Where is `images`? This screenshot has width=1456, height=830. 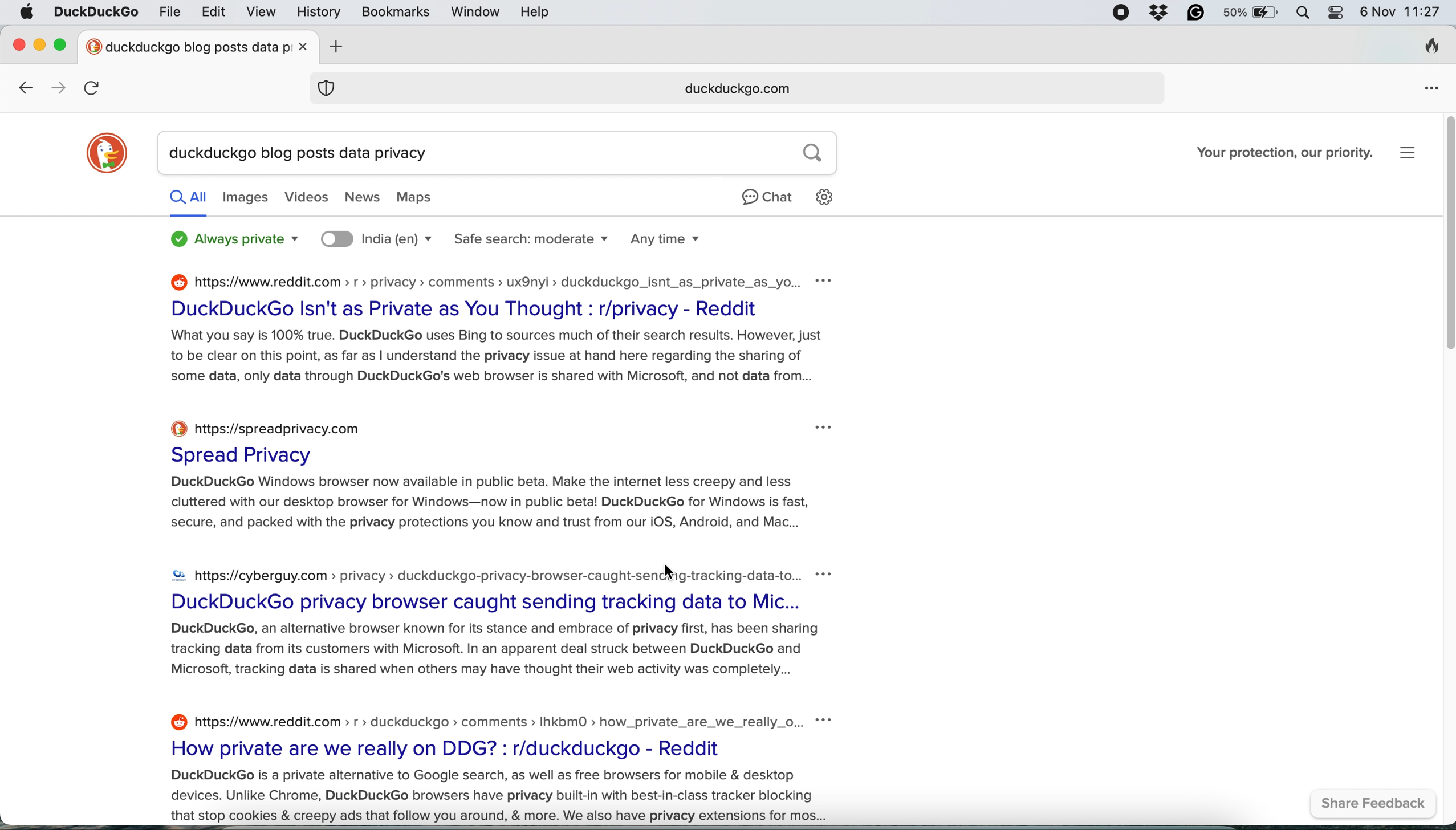 images is located at coordinates (248, 200).